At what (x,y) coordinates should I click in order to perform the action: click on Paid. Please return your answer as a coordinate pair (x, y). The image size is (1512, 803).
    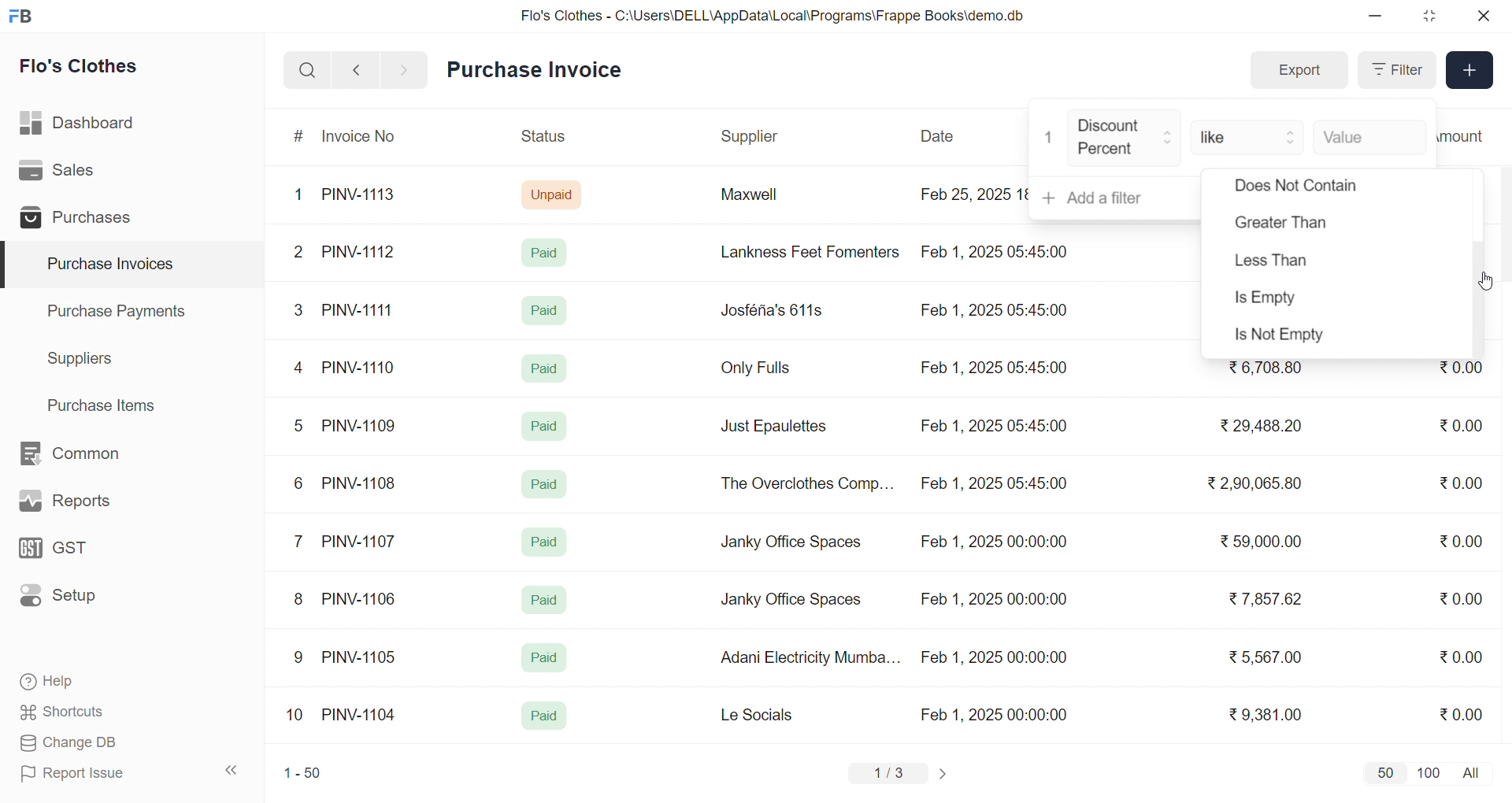
    Looking at the image, I should click on (543, 367).